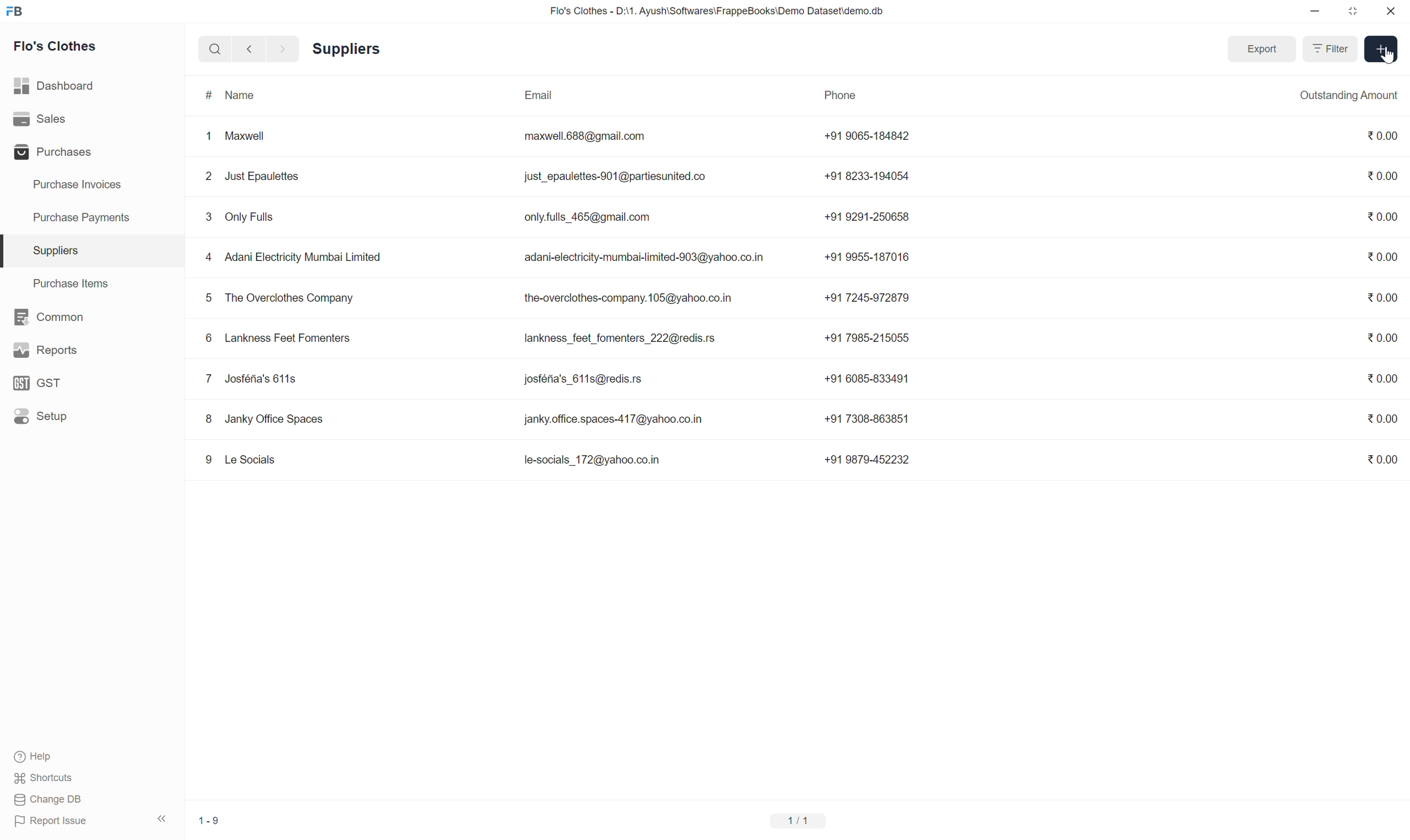 Image resolution: width=1410 pixels, height=840 pixels. What do you see at coordinates (1330, 49) in the screenshot?
I see `Filter` at bounding box center [1330, 49].